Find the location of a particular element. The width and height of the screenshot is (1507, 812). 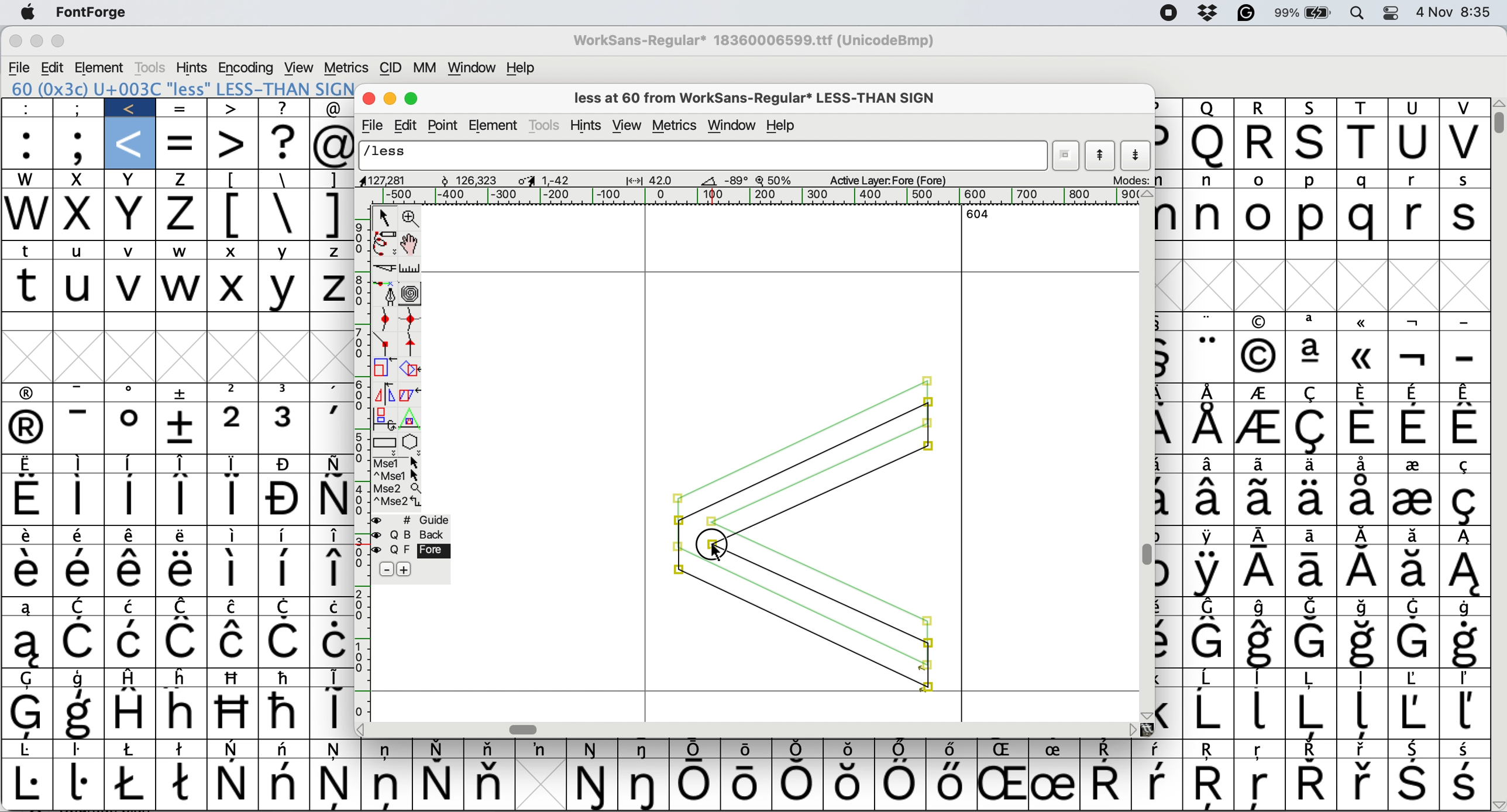

Symbol is located at coordinates (80, 713).